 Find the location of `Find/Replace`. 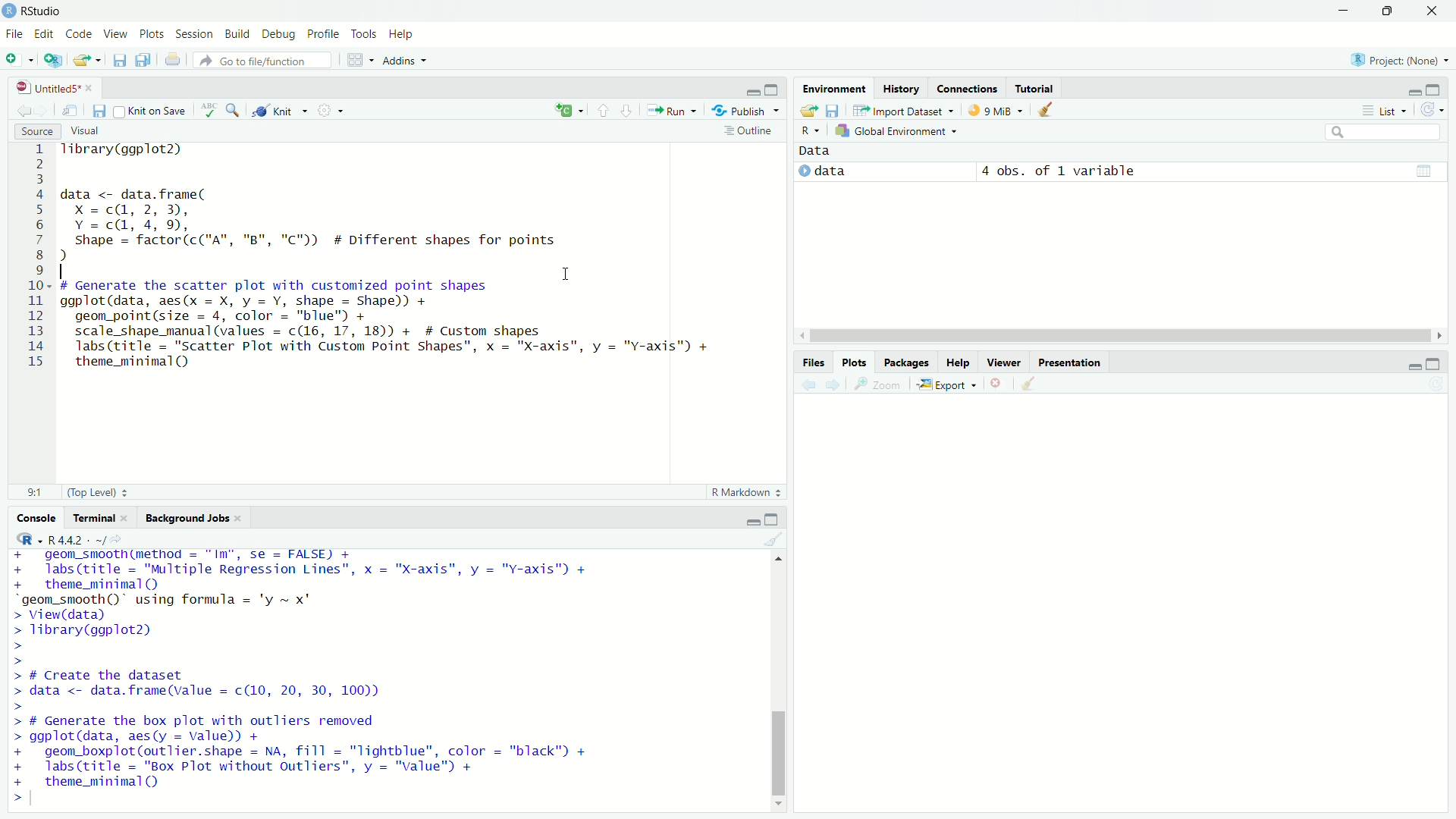

Find/Replace is located at coordinates (234, 110).